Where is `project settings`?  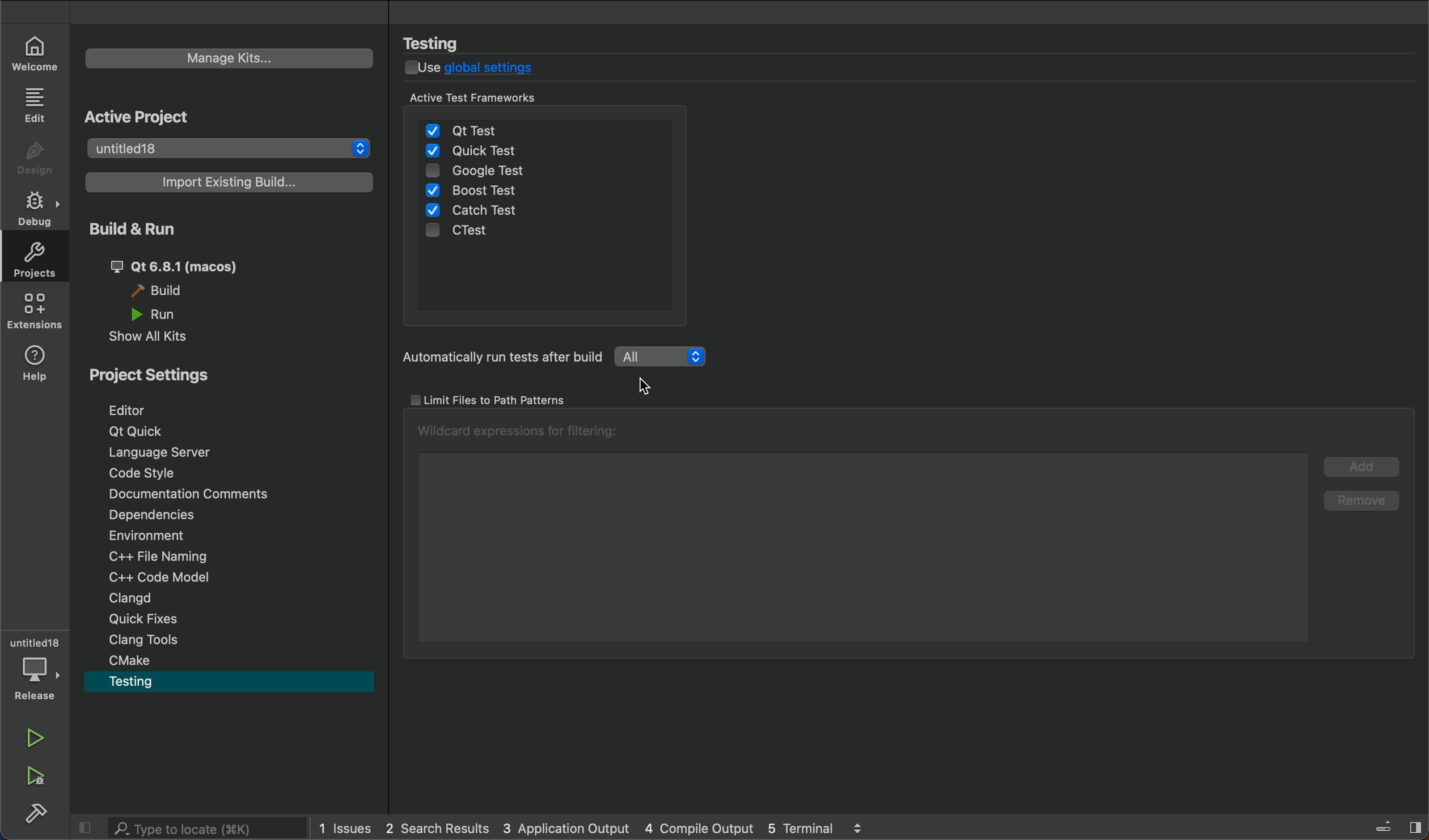
project settings is located at coordinates (162, 374).